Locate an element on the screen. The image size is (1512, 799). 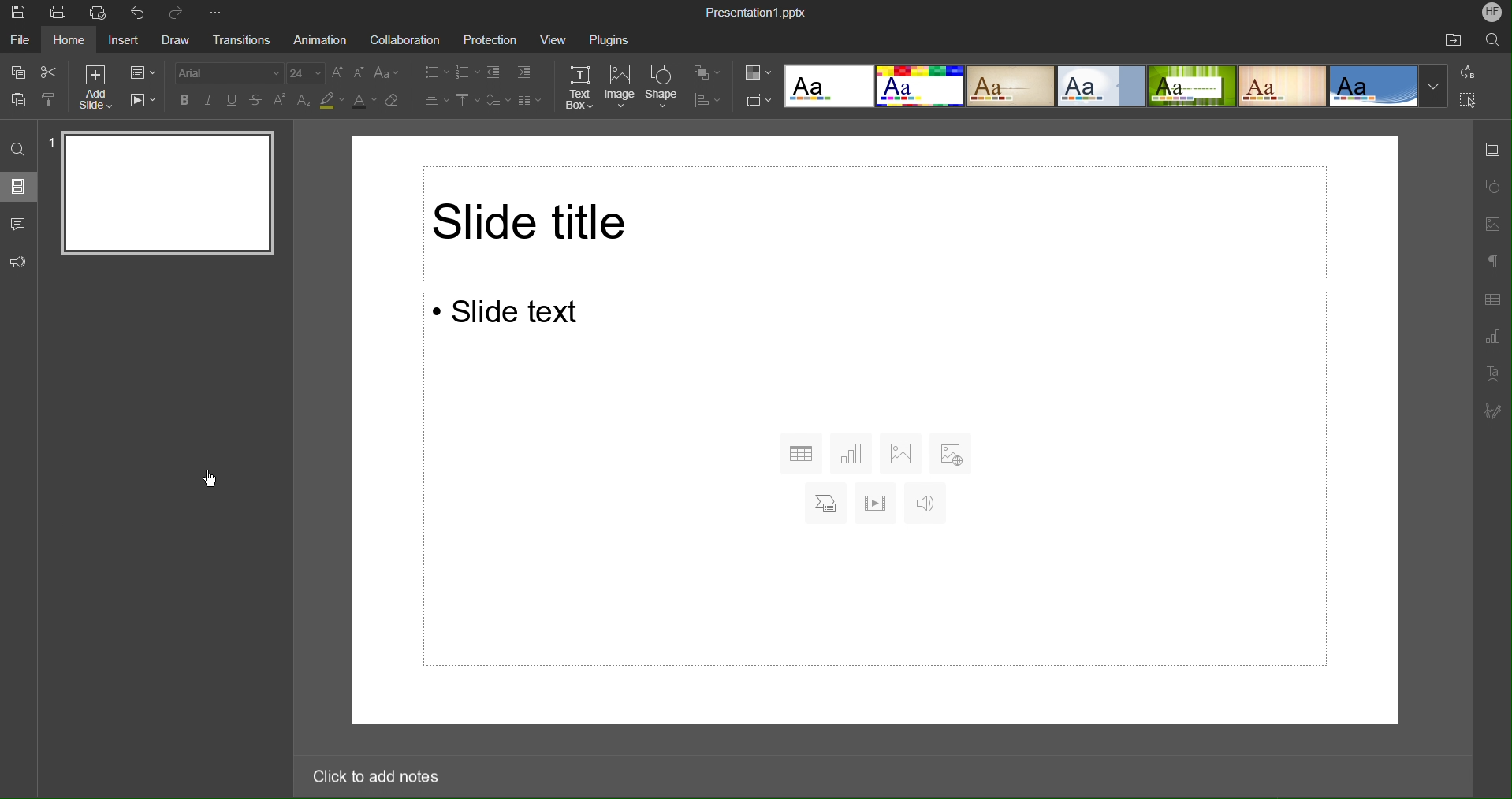
copy is located at coordinates (19, 74).